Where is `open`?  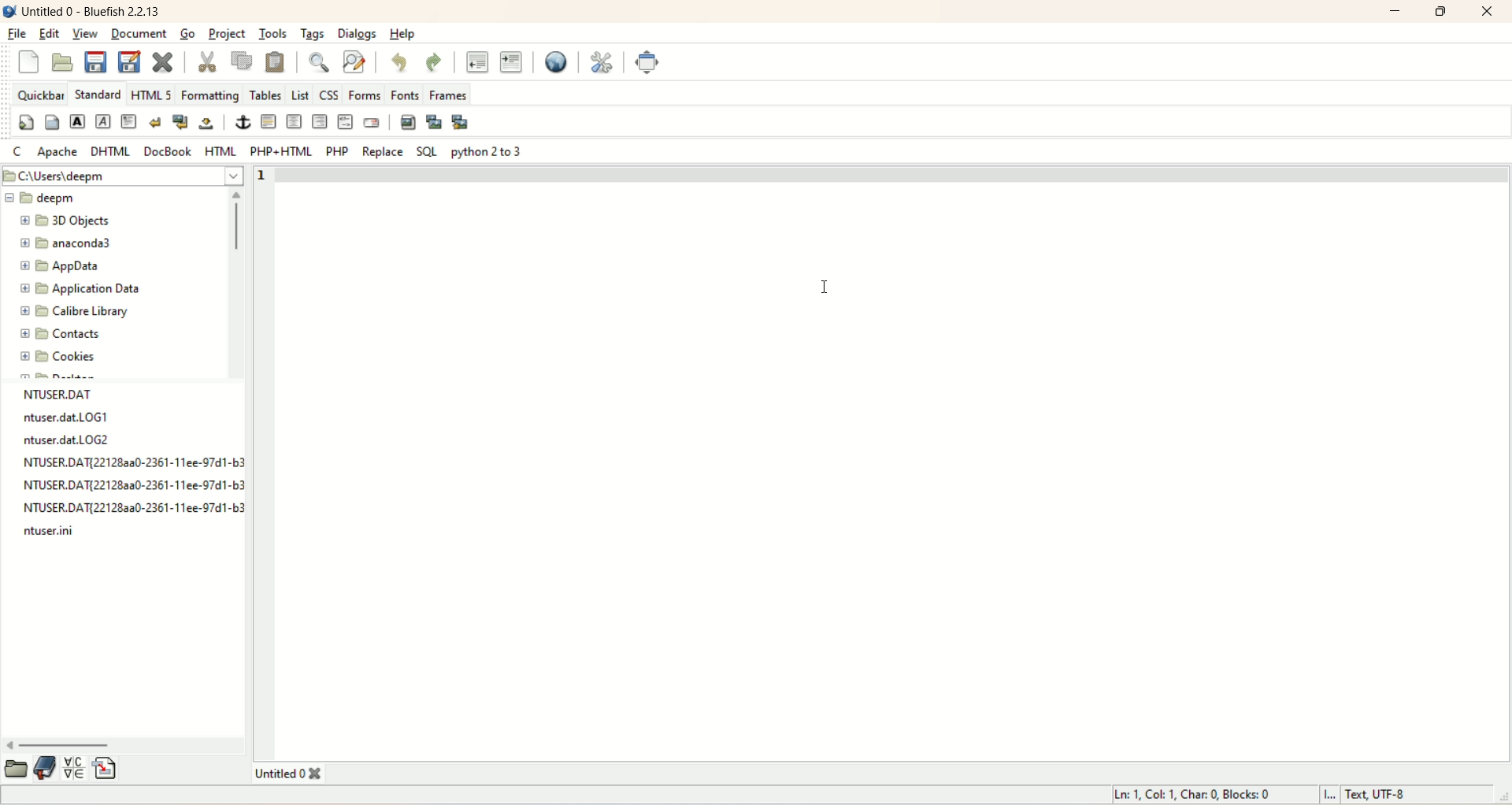 open is located at coordinates (17, 768).